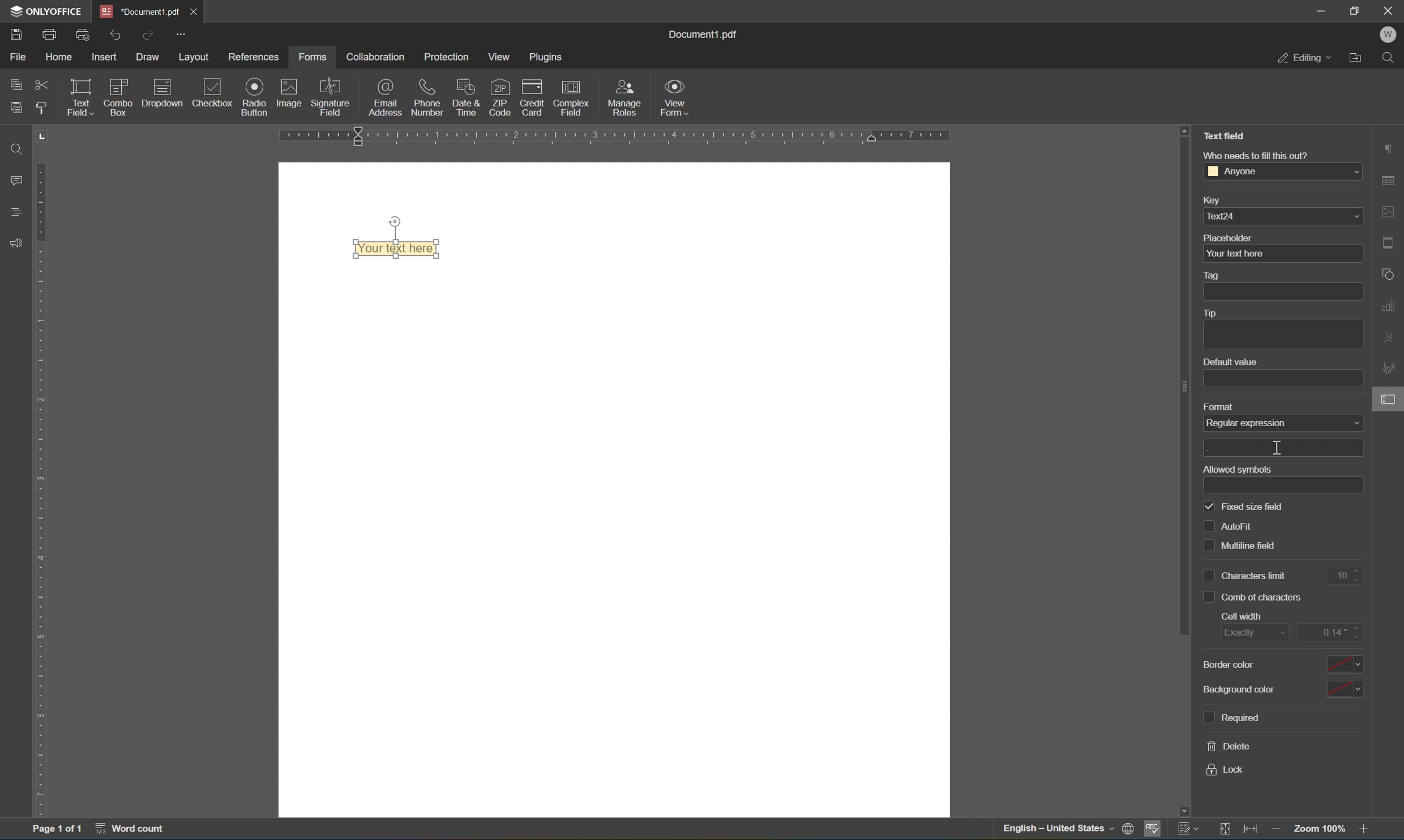 The image size is (1404, 840). Describe the element at coordinates (1253, 598) in the screenshot. I see `comb of characters` at that location.